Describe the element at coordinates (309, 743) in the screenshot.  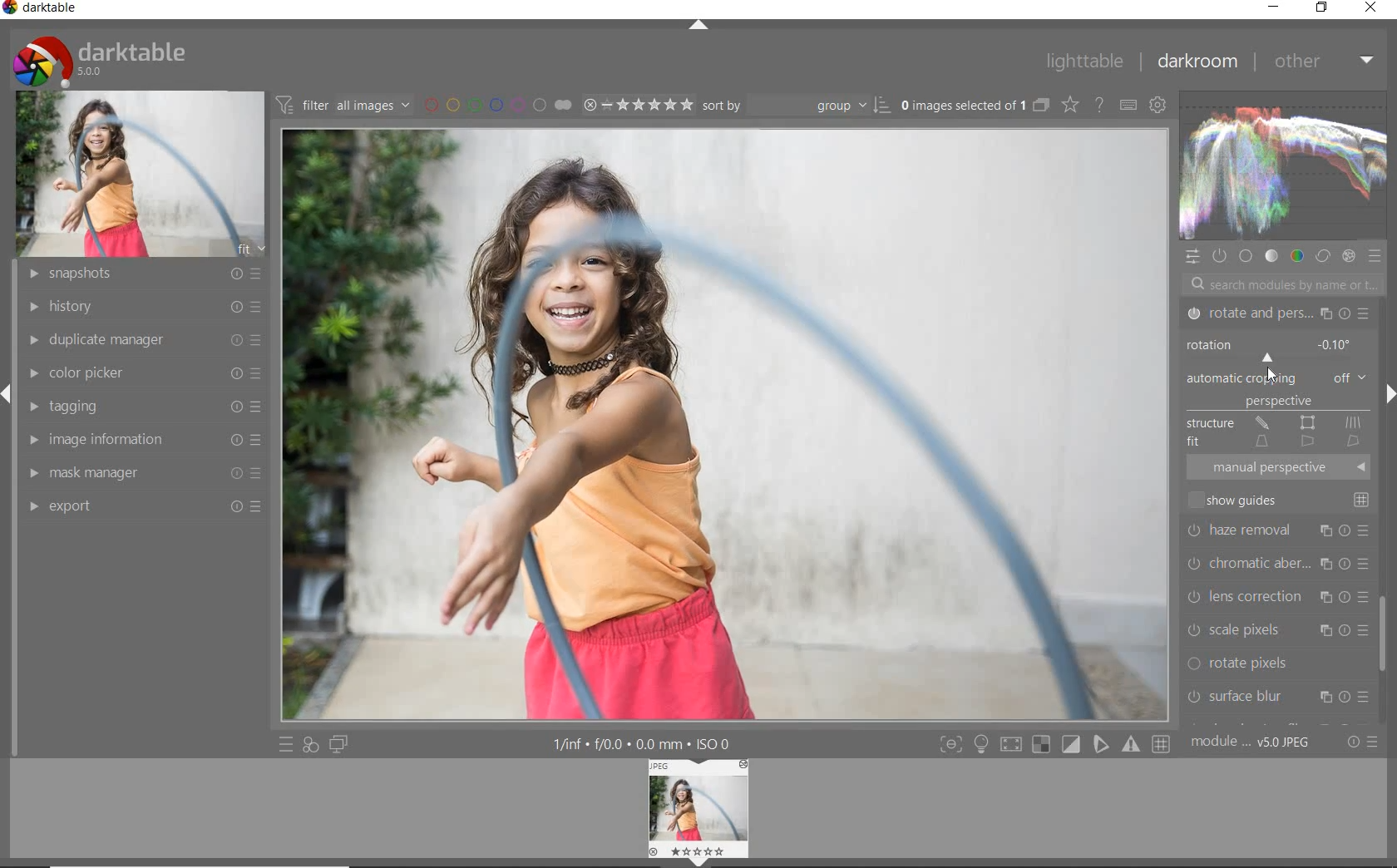
I see `quick access for applying of your style` at that location.